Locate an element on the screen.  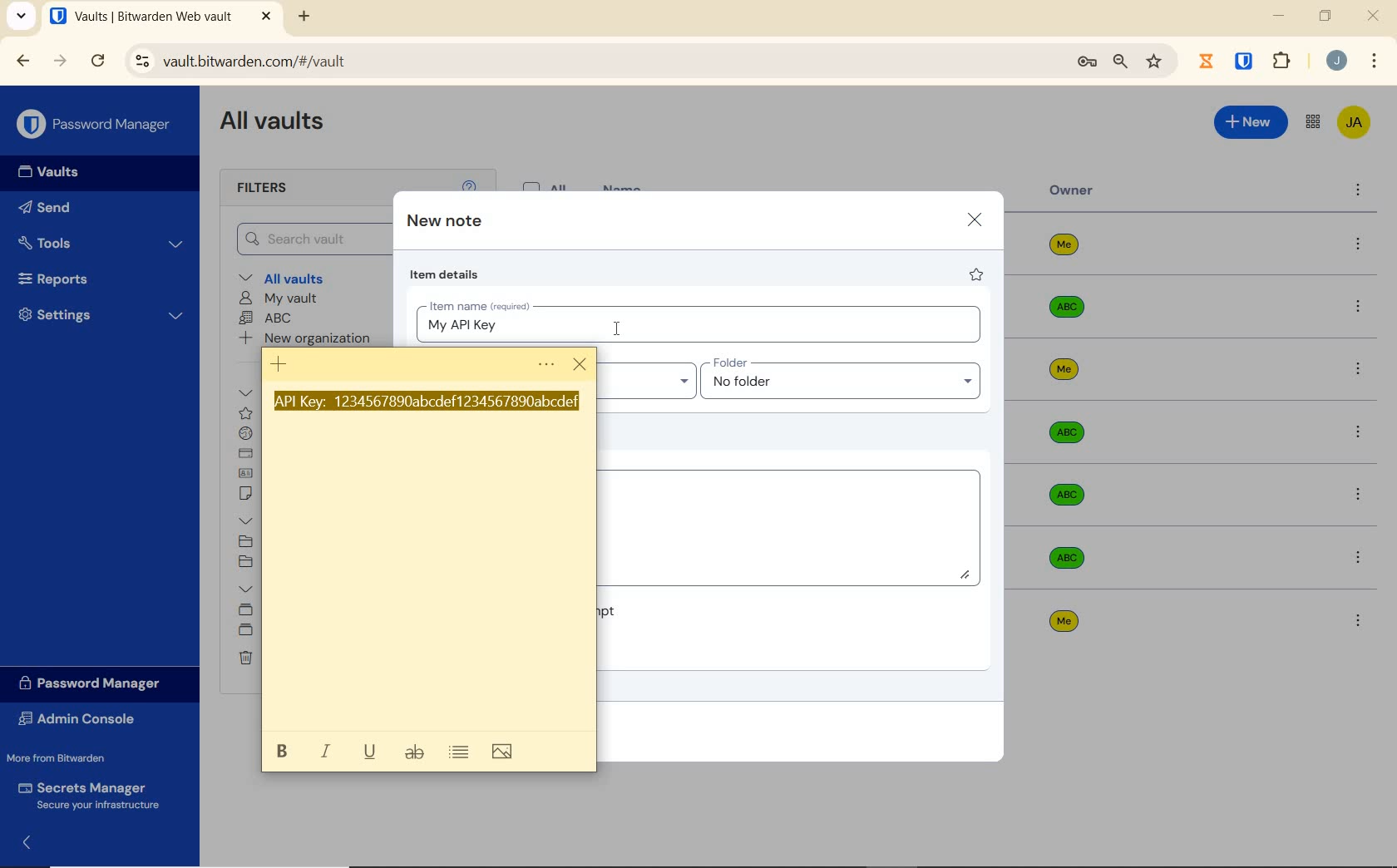
owner is located at coordinates (1072, 192).